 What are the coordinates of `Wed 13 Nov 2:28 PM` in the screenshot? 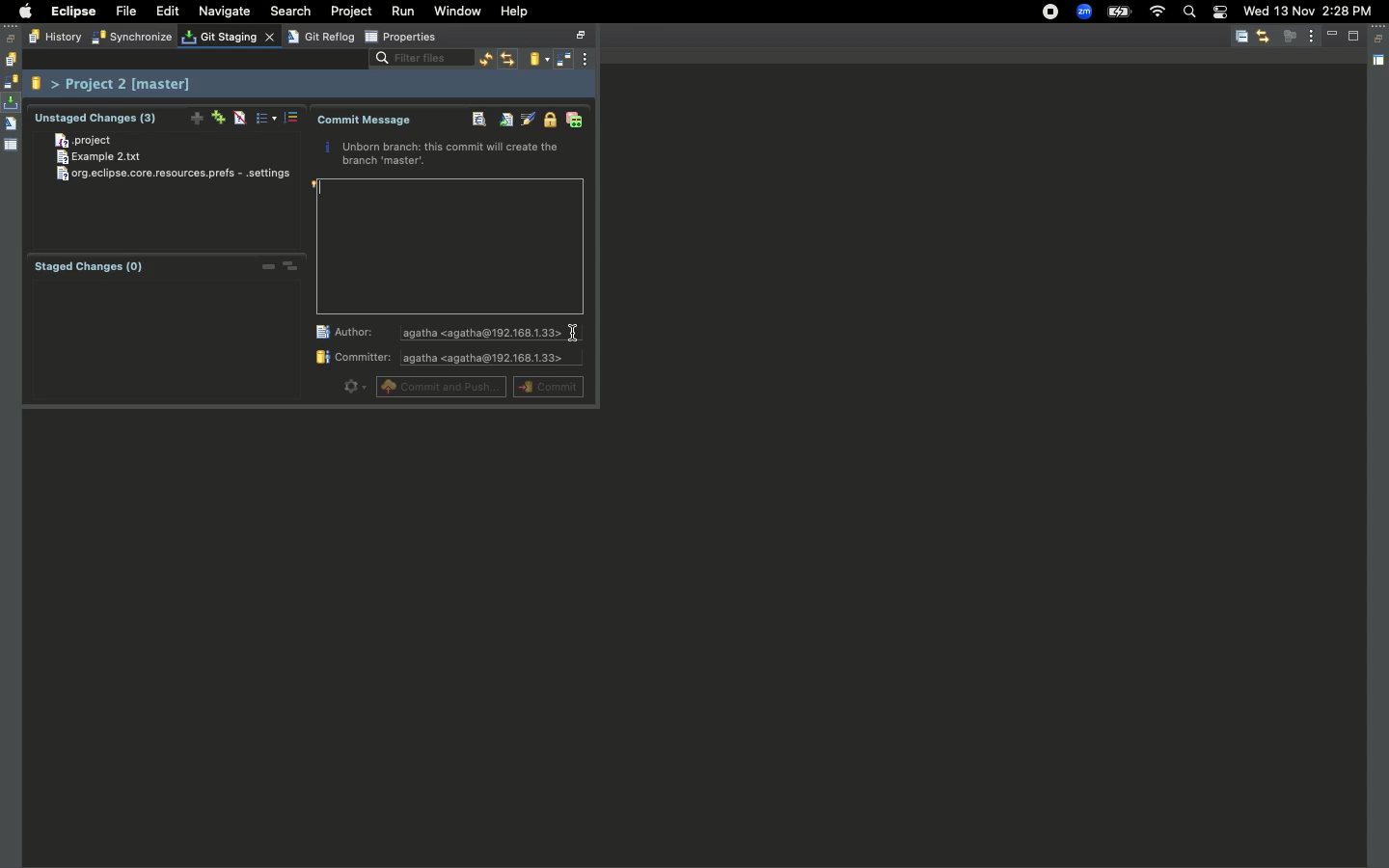 It's located at (1307, 10).